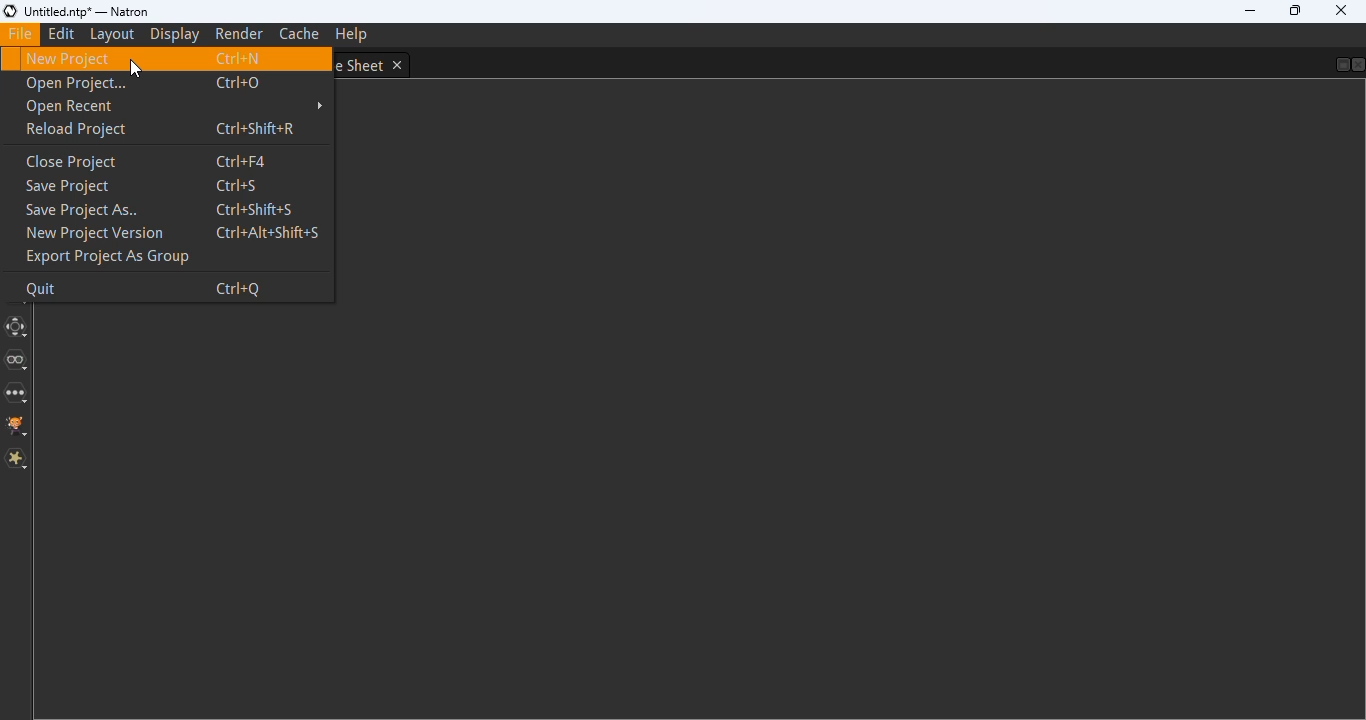  What do you see at coordinates (176, 131) in the screenshot?
I see `reload project` at bounding box center [176, 131].